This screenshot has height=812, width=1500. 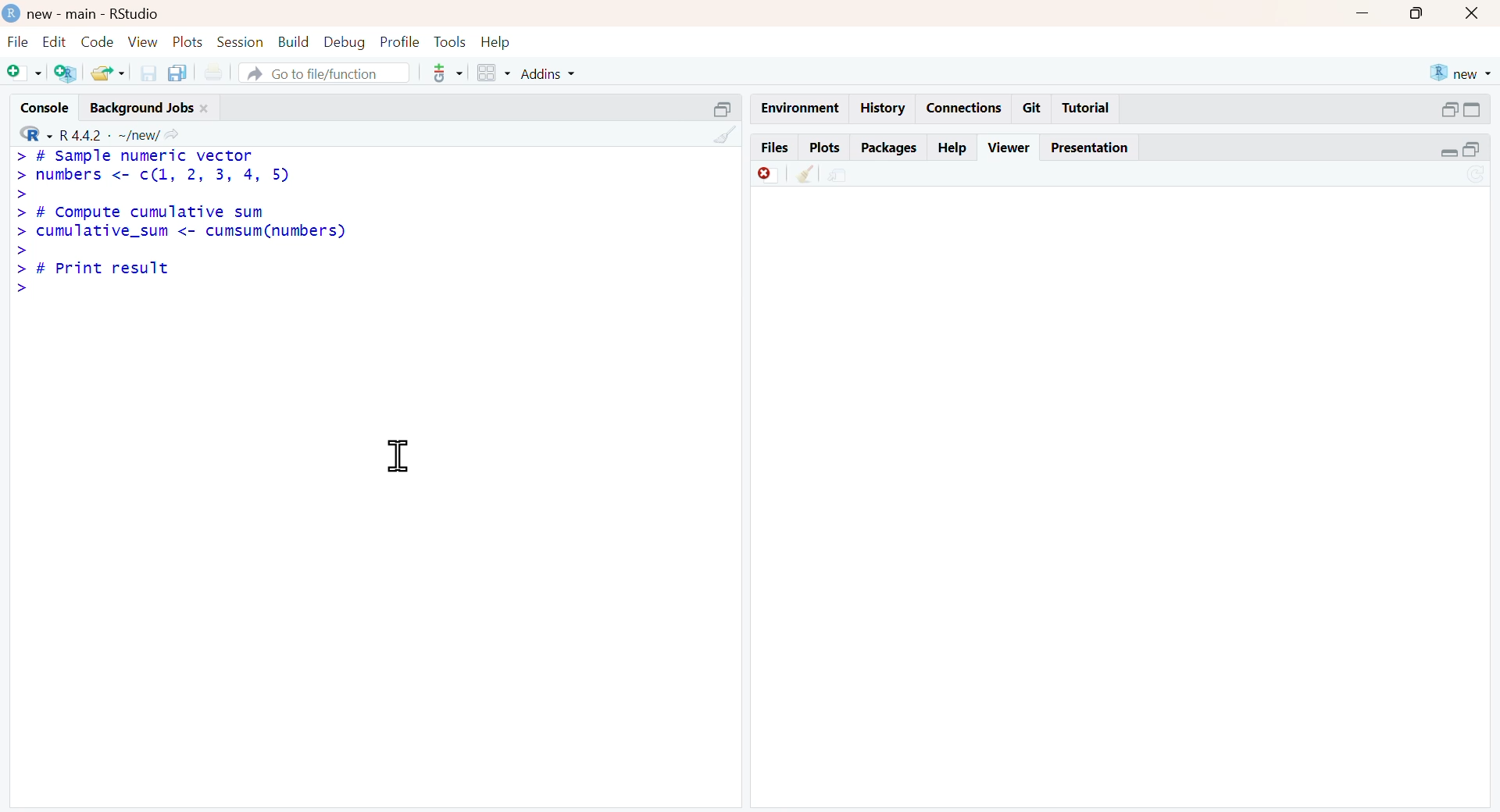 What do you see at coordinates (950, 148) in the screenshot?
I see `Help` at bounding box center [950, 148].